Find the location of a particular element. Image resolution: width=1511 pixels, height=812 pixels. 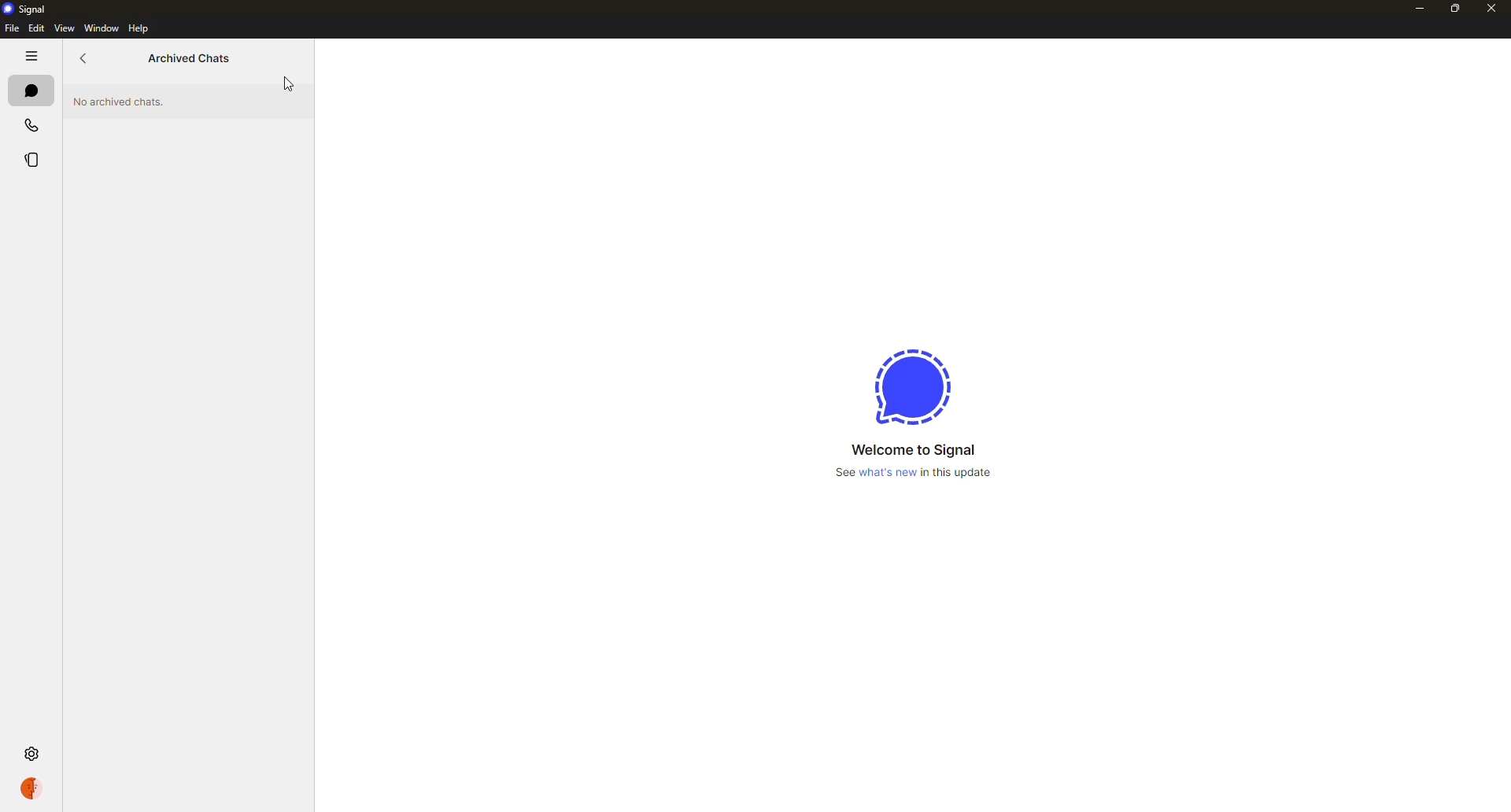

no archived chats is located at coordinates (124, 102).